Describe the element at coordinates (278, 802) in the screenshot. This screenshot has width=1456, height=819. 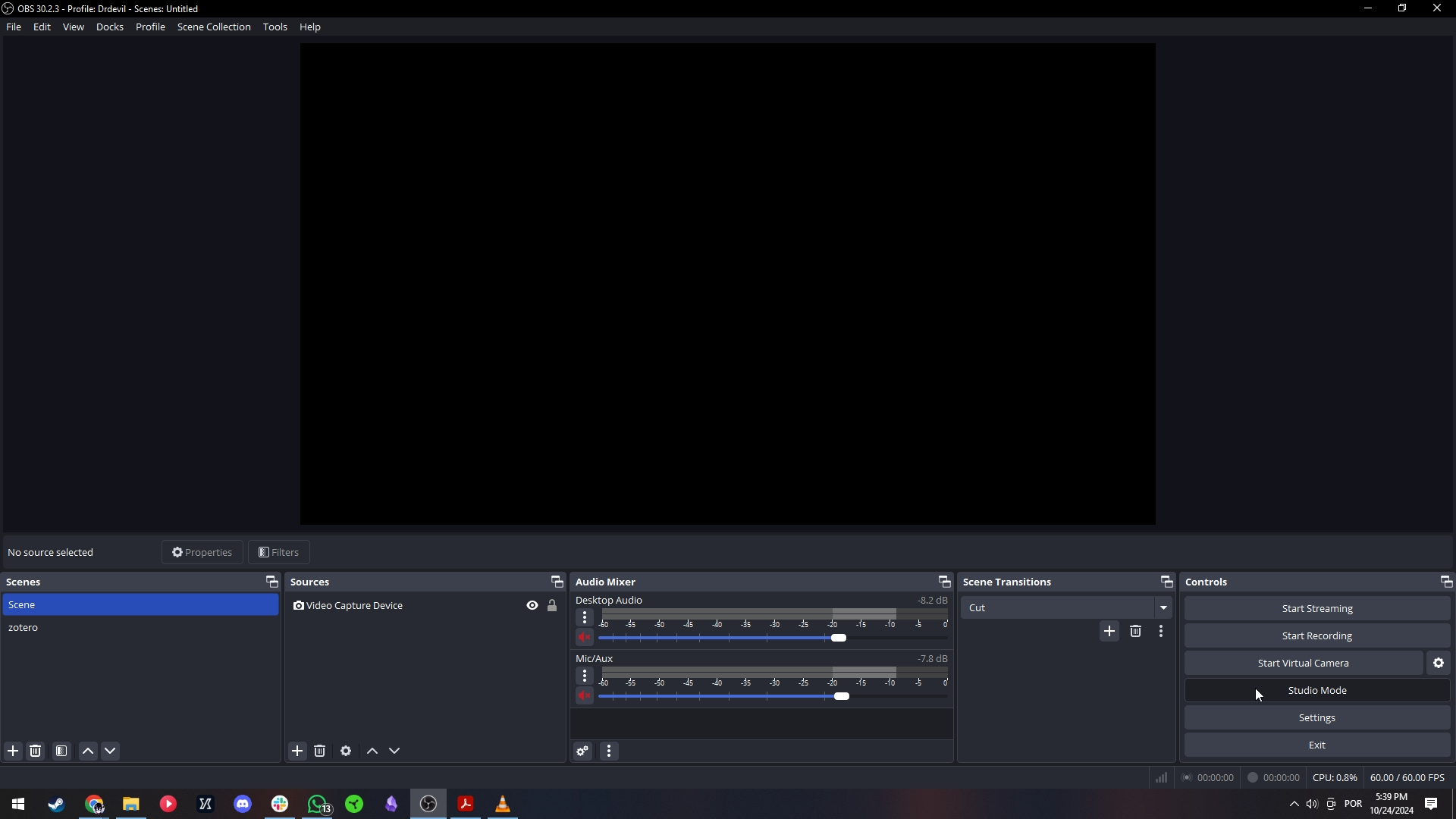
I see `slack` at that location.